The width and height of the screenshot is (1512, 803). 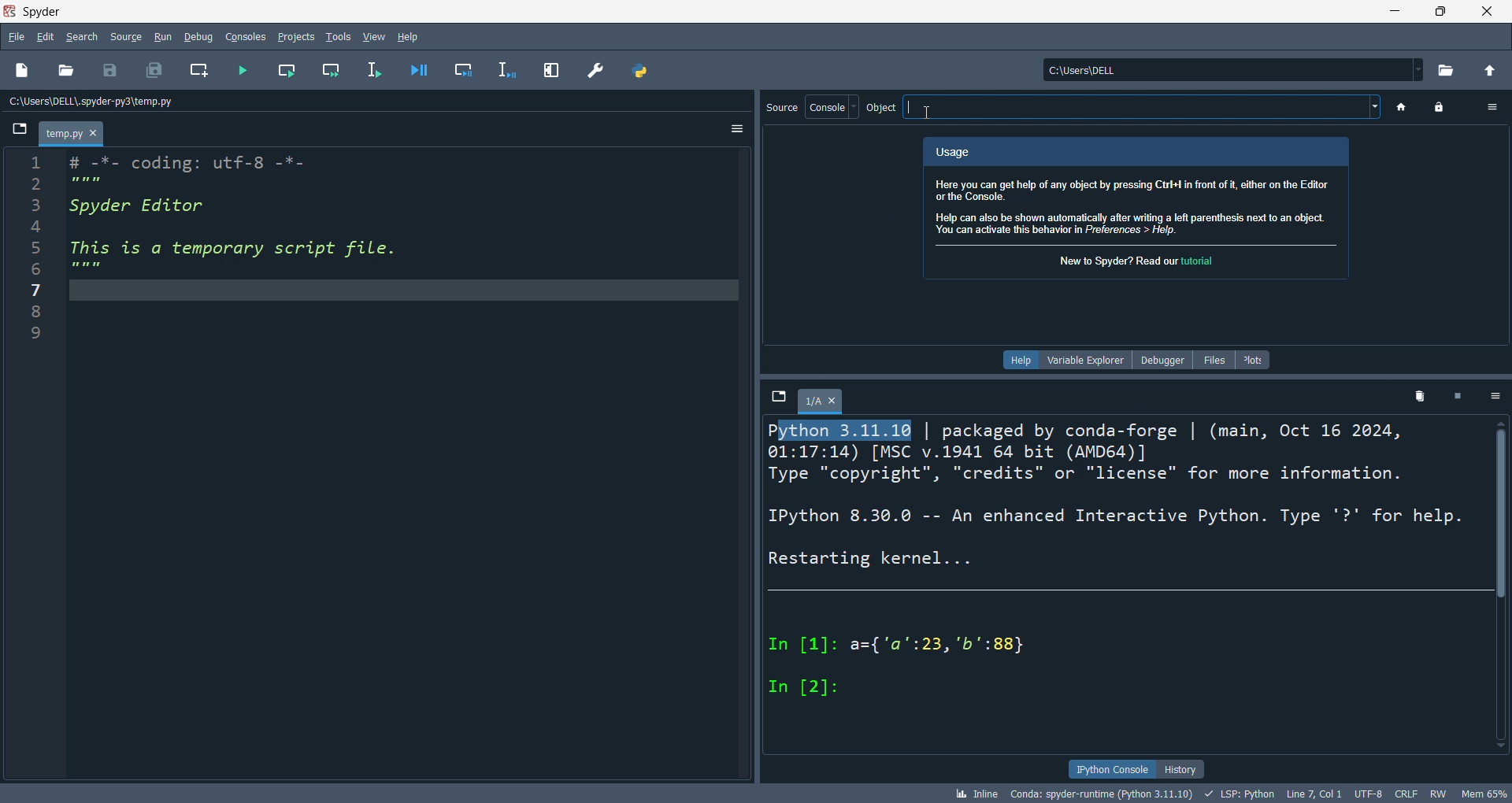 I want to click on temp.py, so click(x=74, y=131).